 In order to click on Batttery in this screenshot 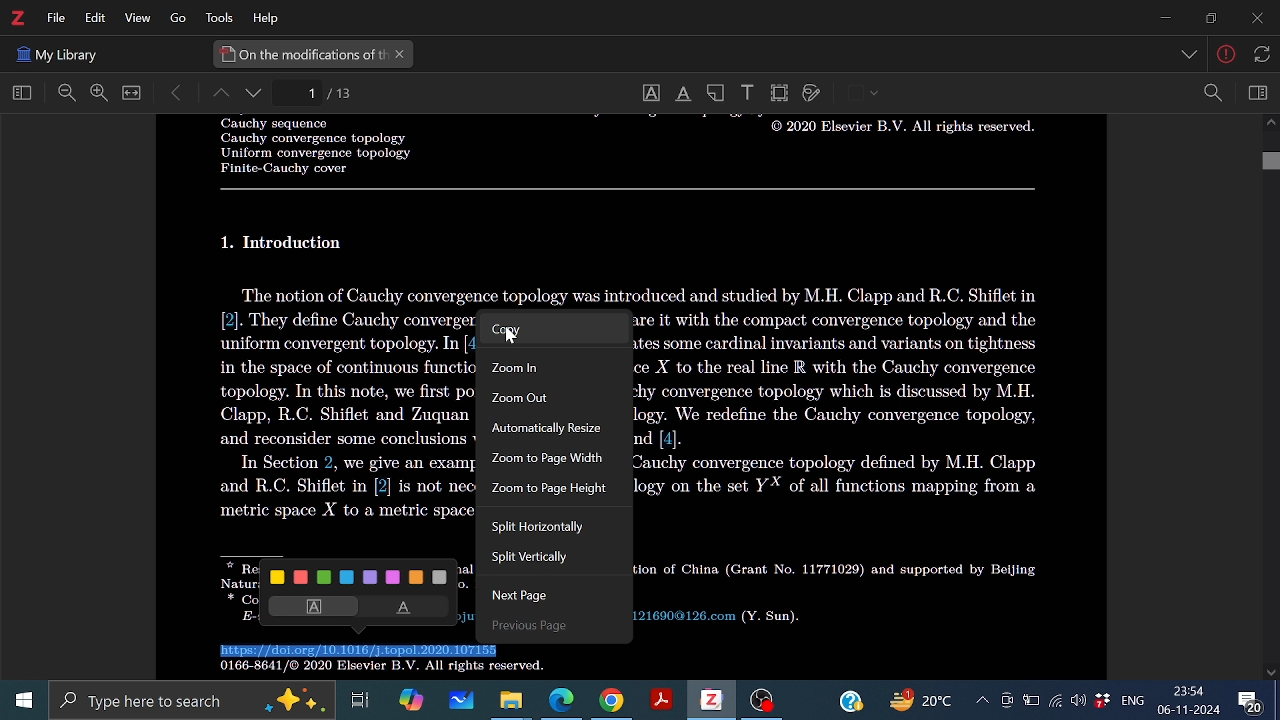, I will do `click(1031, 701)`.